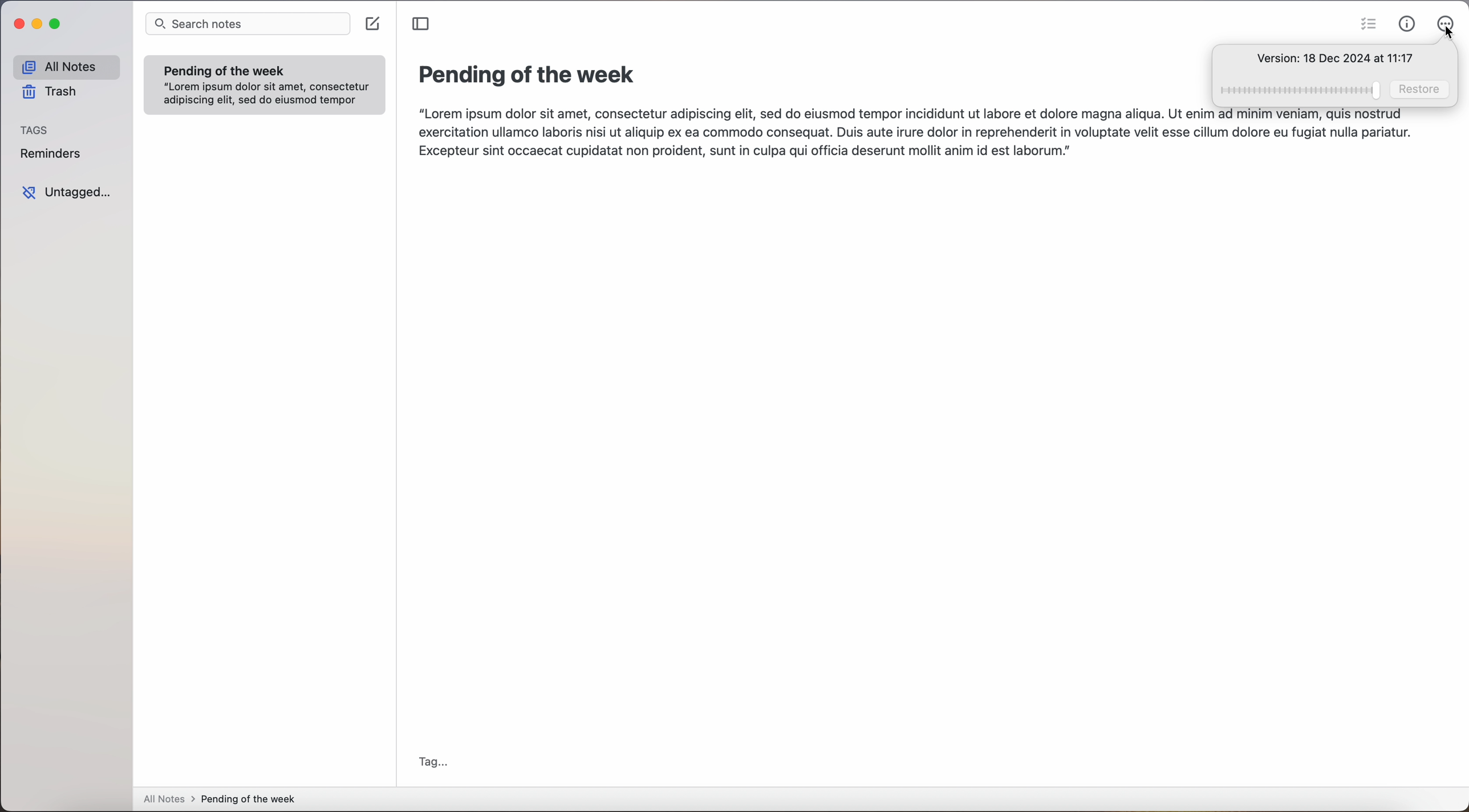  What do you see at coordinates (249, 25) in the screenshot?
I see `search notes` at bounding box center [249, 25].